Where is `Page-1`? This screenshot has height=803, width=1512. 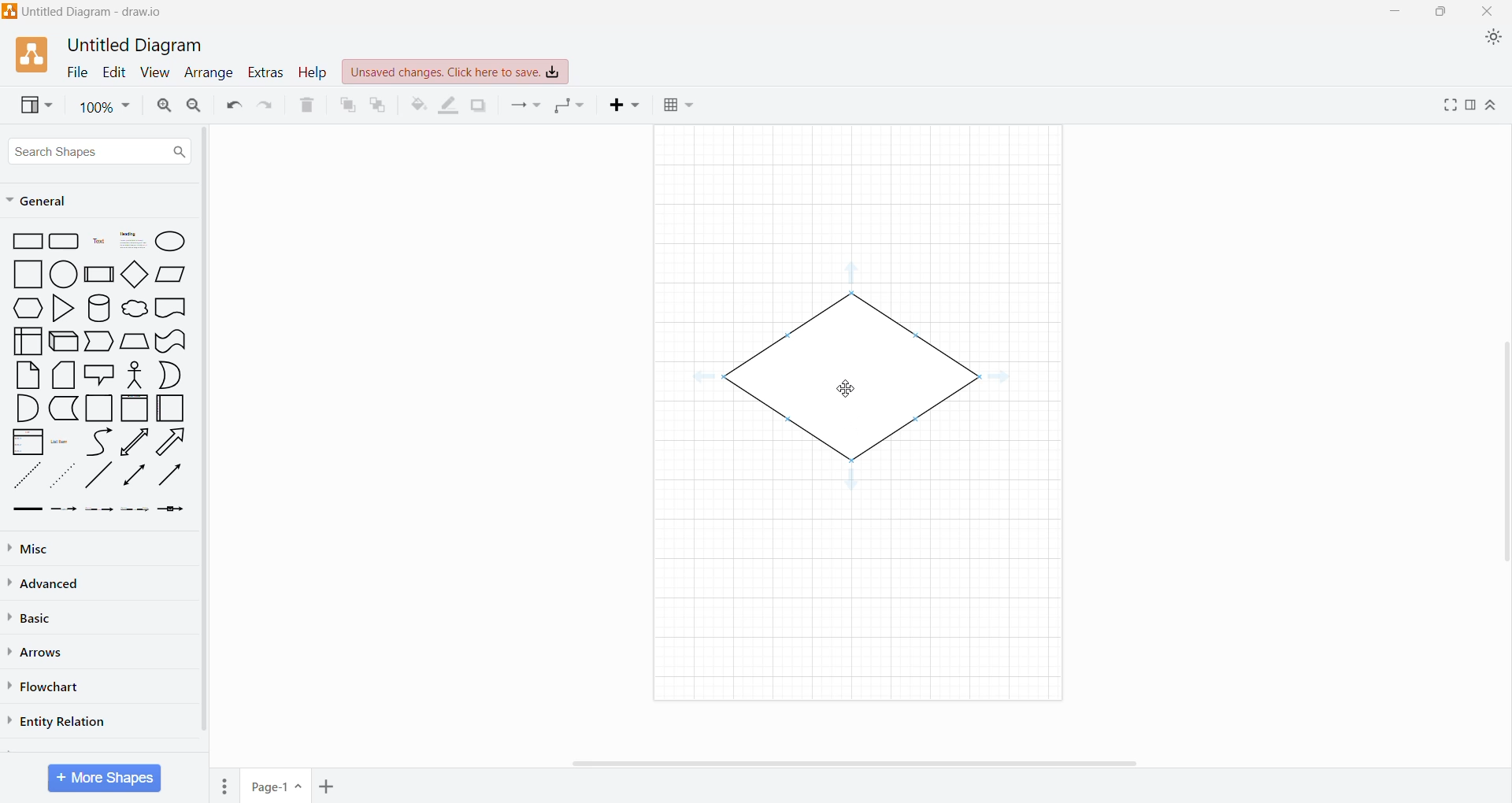
Page-1 is located at coordinates (274, 786).